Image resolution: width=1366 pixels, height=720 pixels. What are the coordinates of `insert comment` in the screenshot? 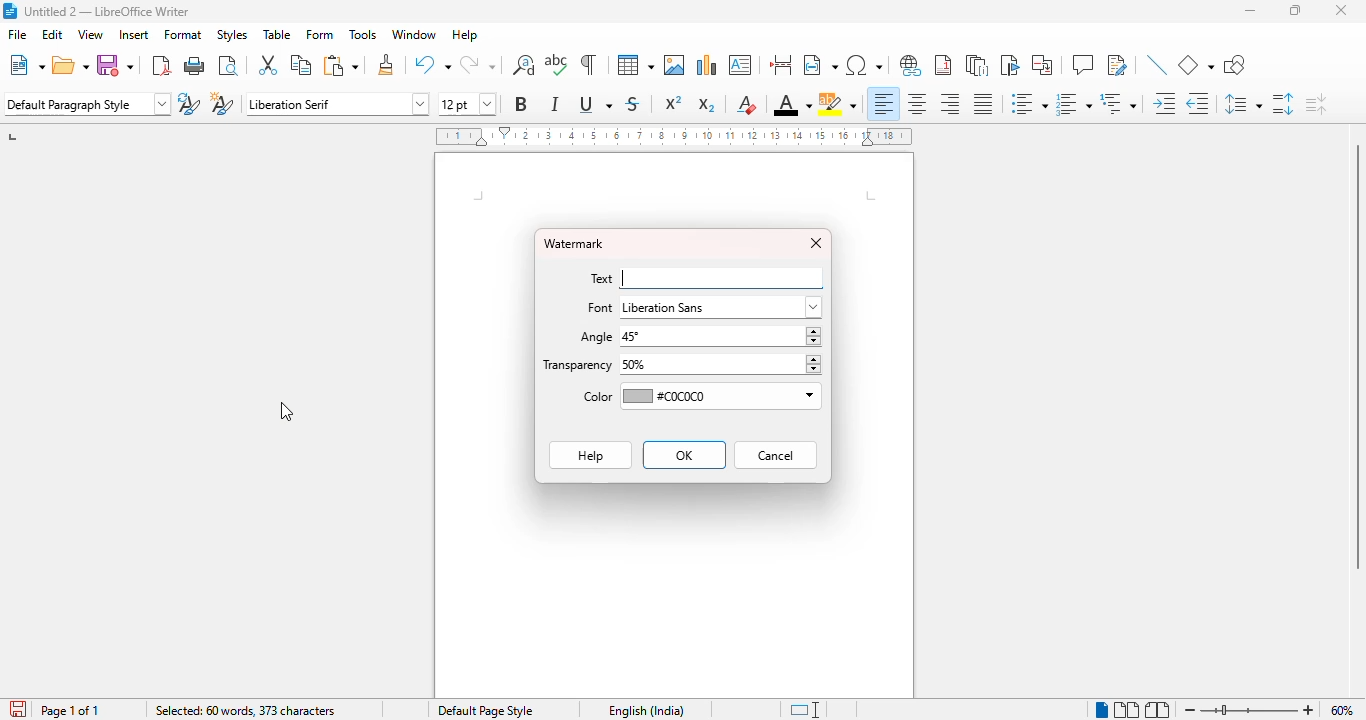 It's located at (1083, 64).